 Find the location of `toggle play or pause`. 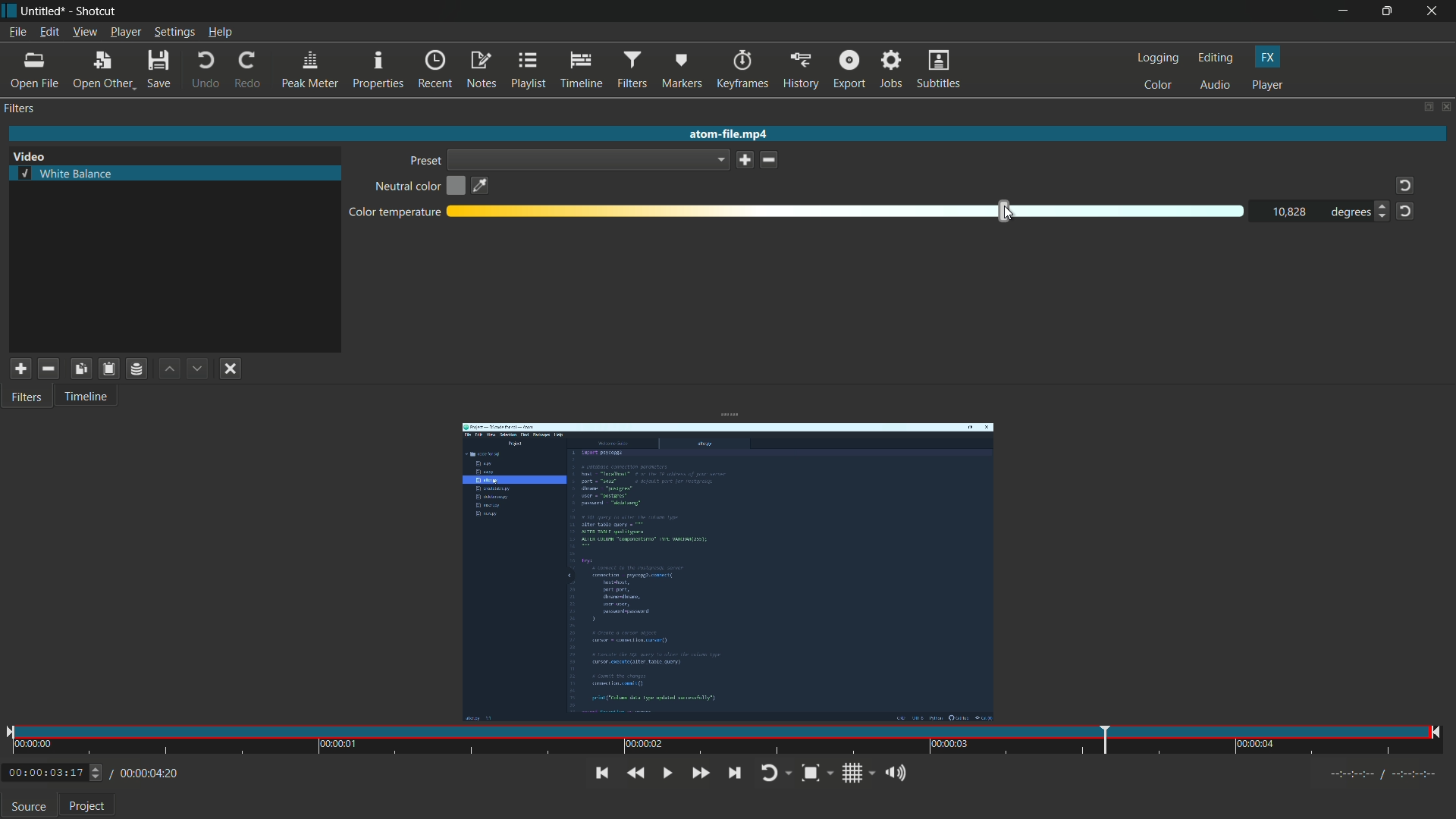

toggle play or pause is located at coordinates (665, 773).